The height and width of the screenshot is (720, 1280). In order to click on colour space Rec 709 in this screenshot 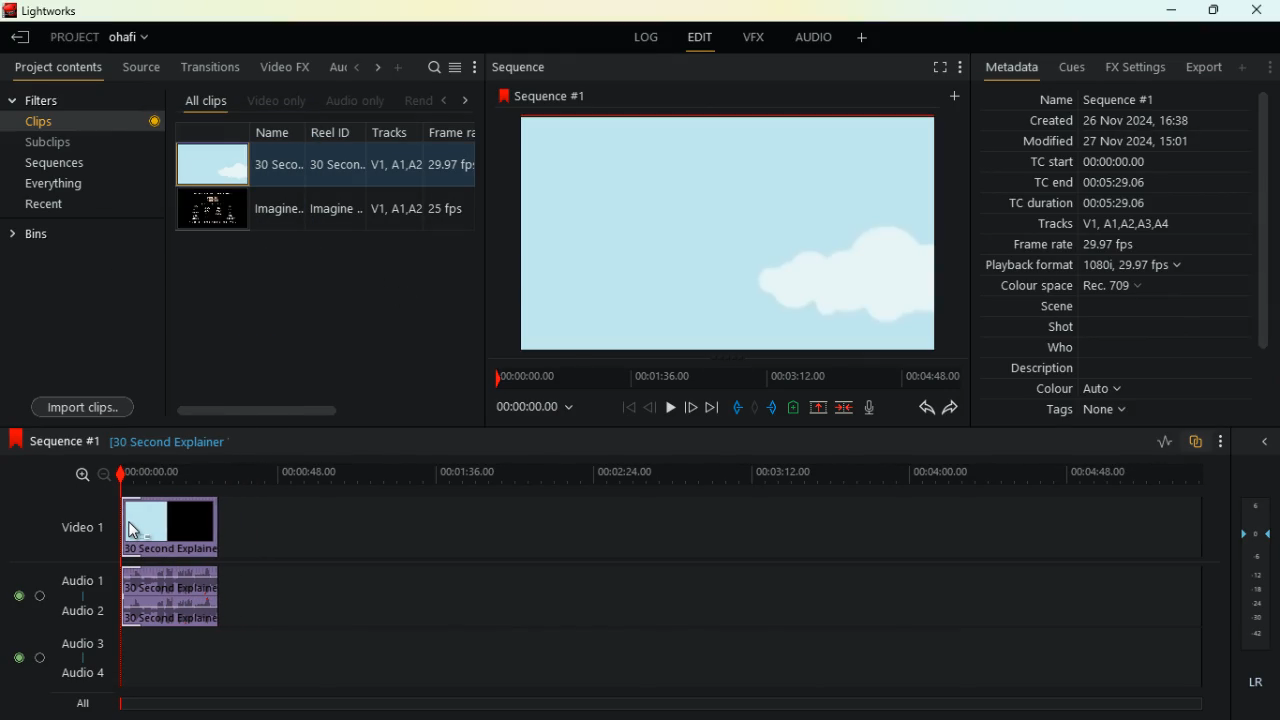, I will do `click(1105, 287)`.